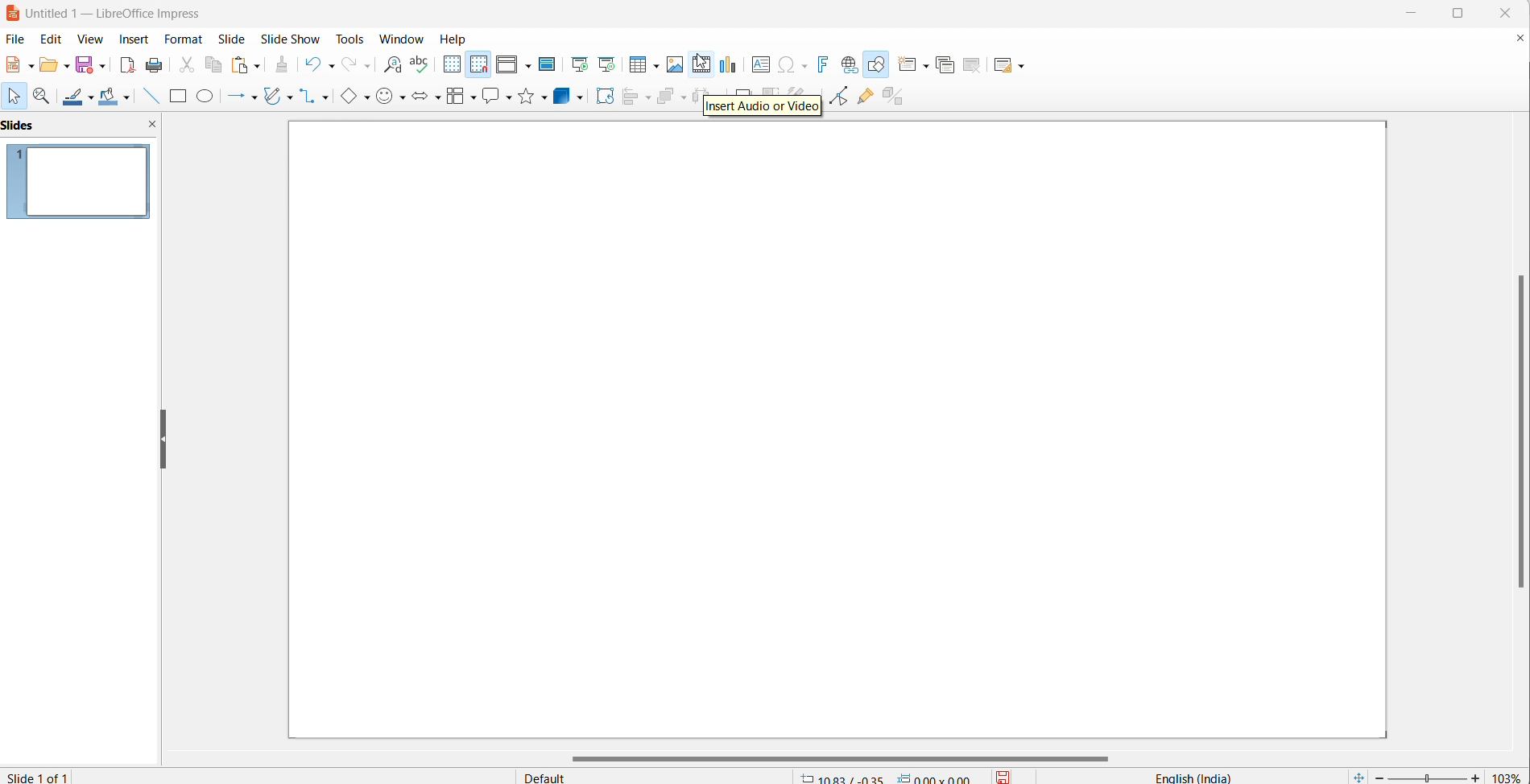 Image resolution: width=1530 pixels, height=784 pixels. I want to click on 3d object, so click(564, 95).